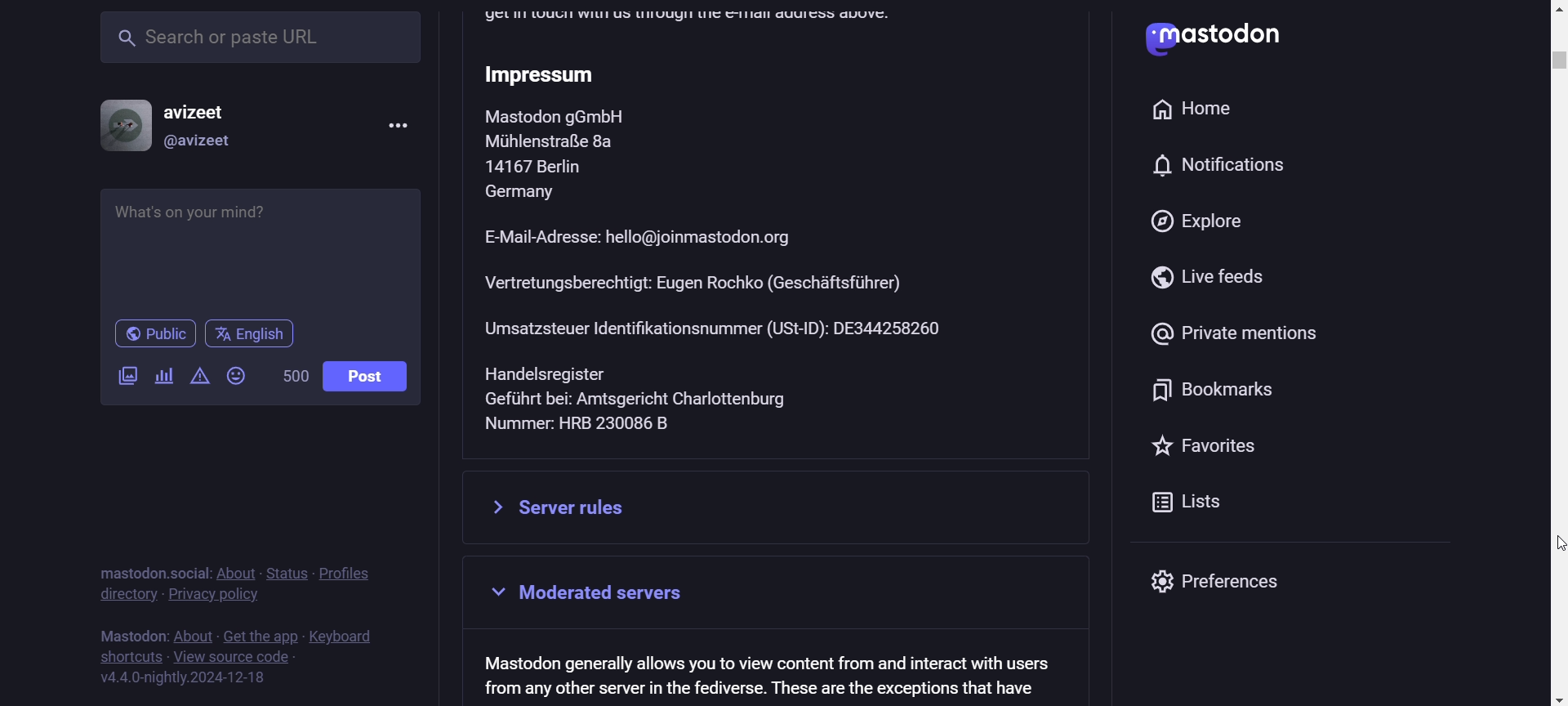 The image size is (1568, 706). I want to click on privacy policy, so click(216, 598).